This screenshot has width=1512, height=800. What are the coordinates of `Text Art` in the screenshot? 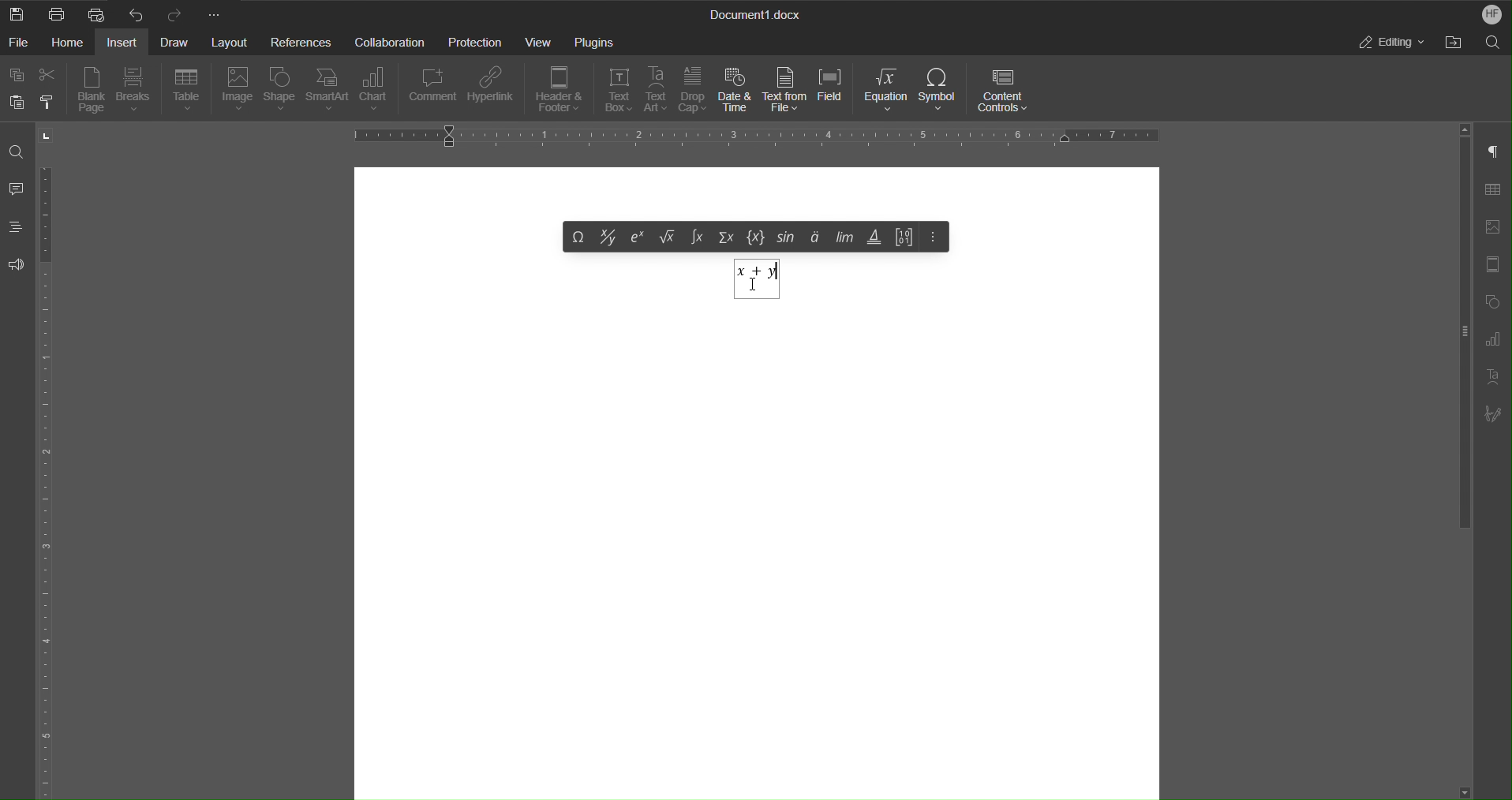 It's located at (657, 92).